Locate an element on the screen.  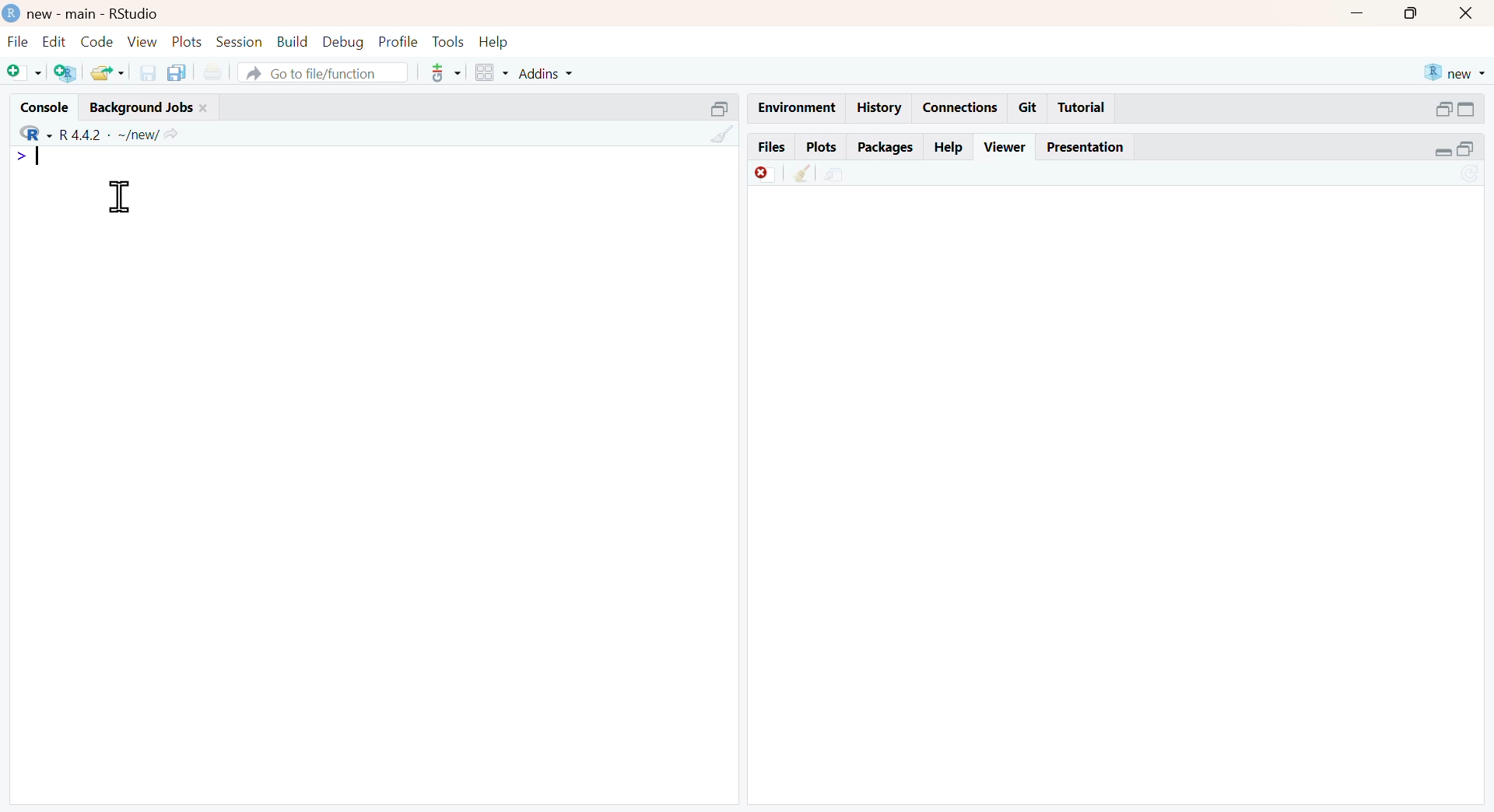
clean is located at coordinates (725, 135).